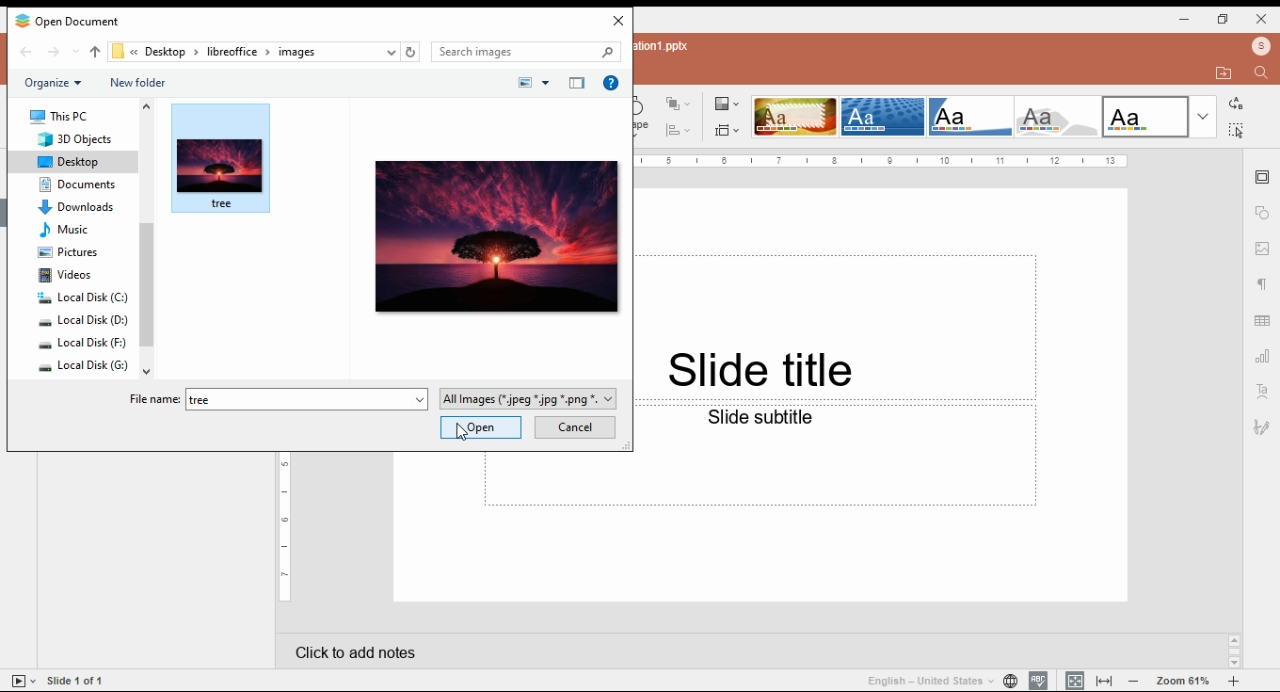 This screenshot has width=1280, height=692. What do you see at coordinates (232, 52) in the screenshot?
I see `libre office` at bounding box center [232, 52].